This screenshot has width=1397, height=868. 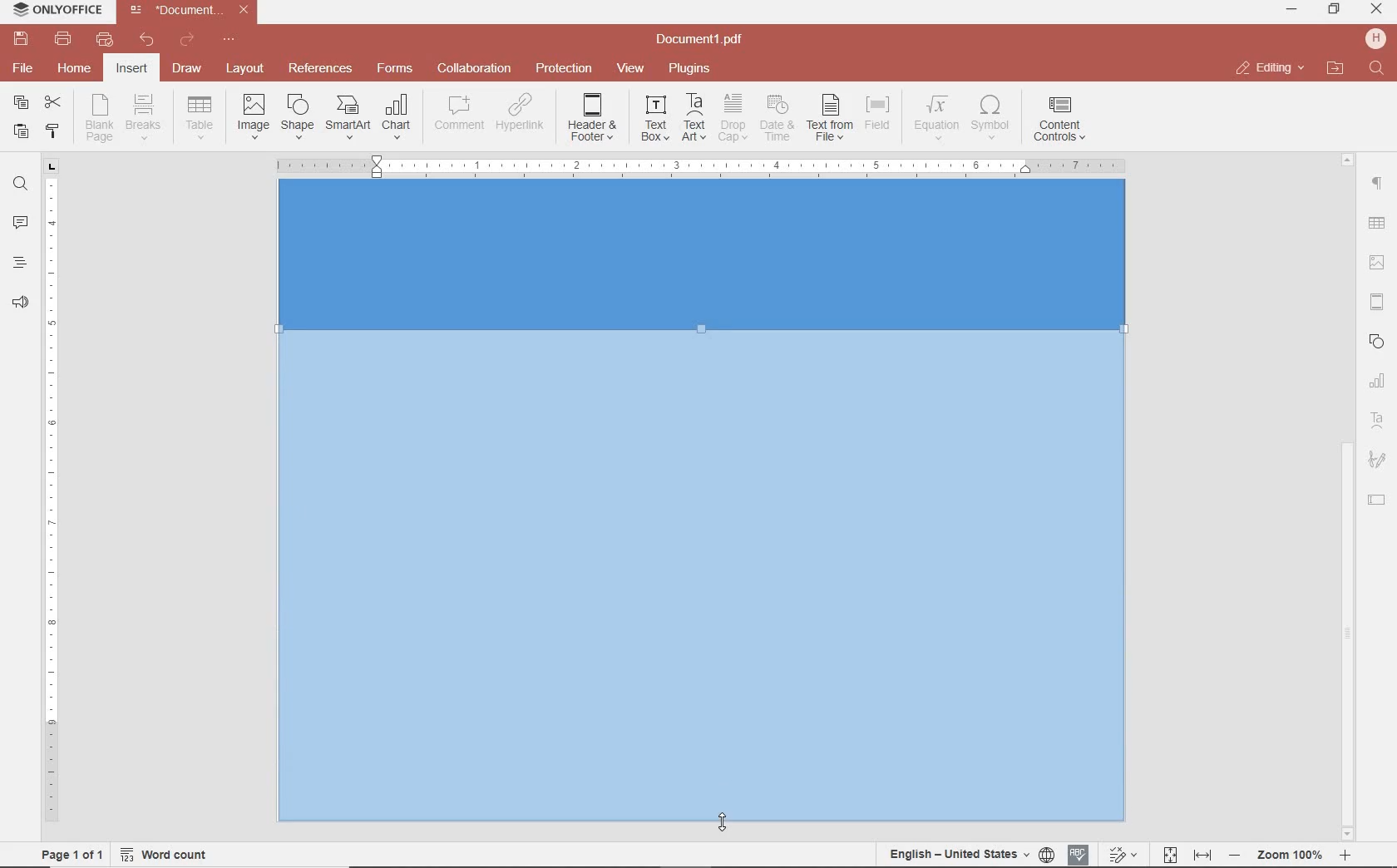 What do you see at coordinates (24, 68) in the screenshot?
I see `file` at bounding box center [24, 68].